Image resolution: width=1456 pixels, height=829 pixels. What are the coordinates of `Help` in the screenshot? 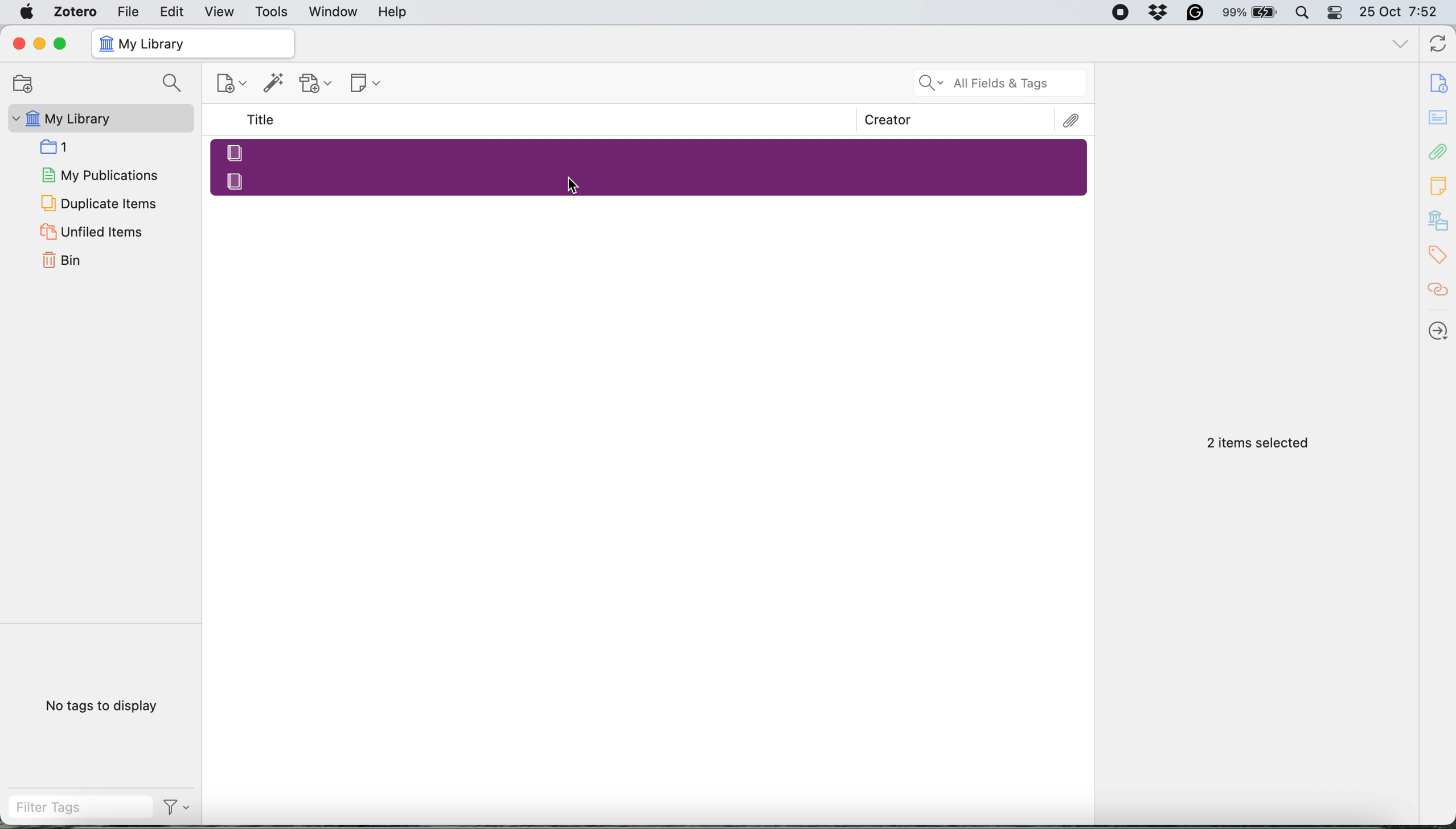 It's located at (392, 11).